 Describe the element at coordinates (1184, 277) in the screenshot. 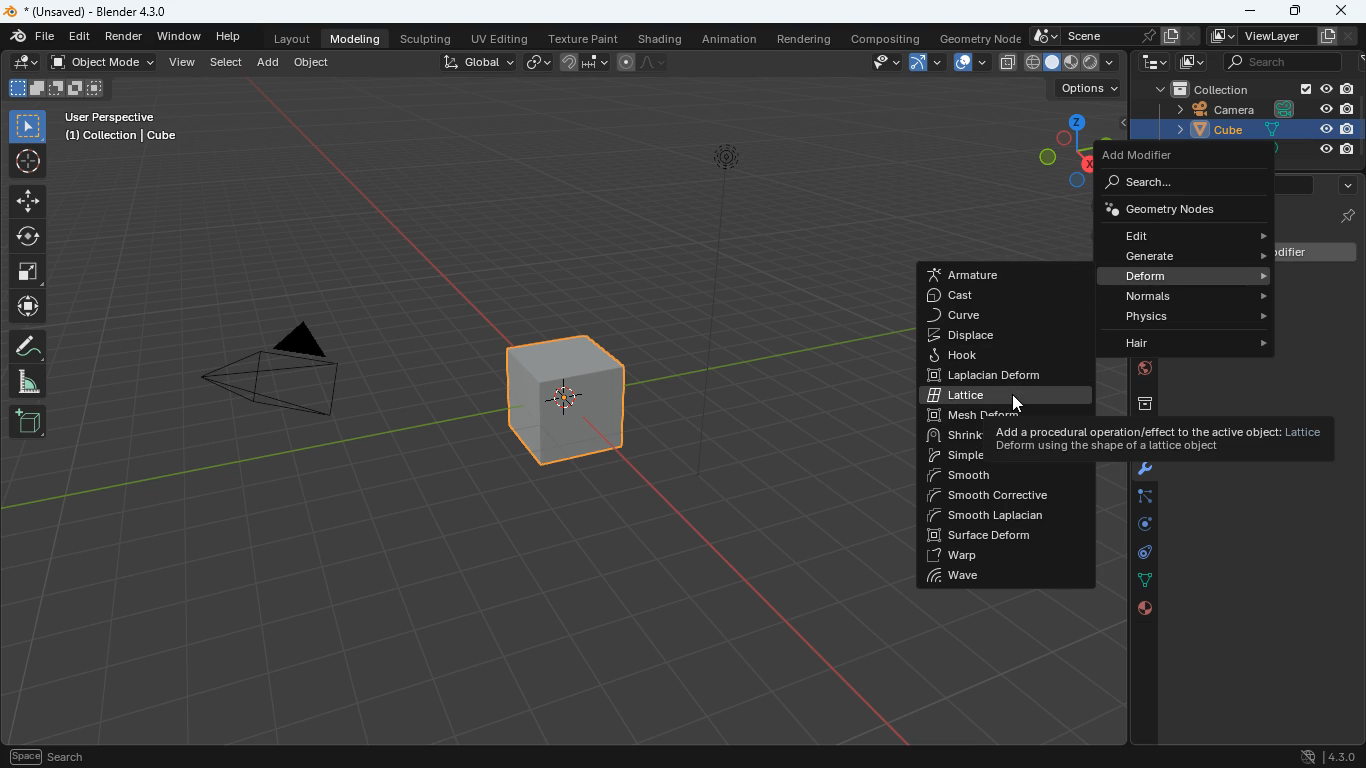

I see `deform` at that location.